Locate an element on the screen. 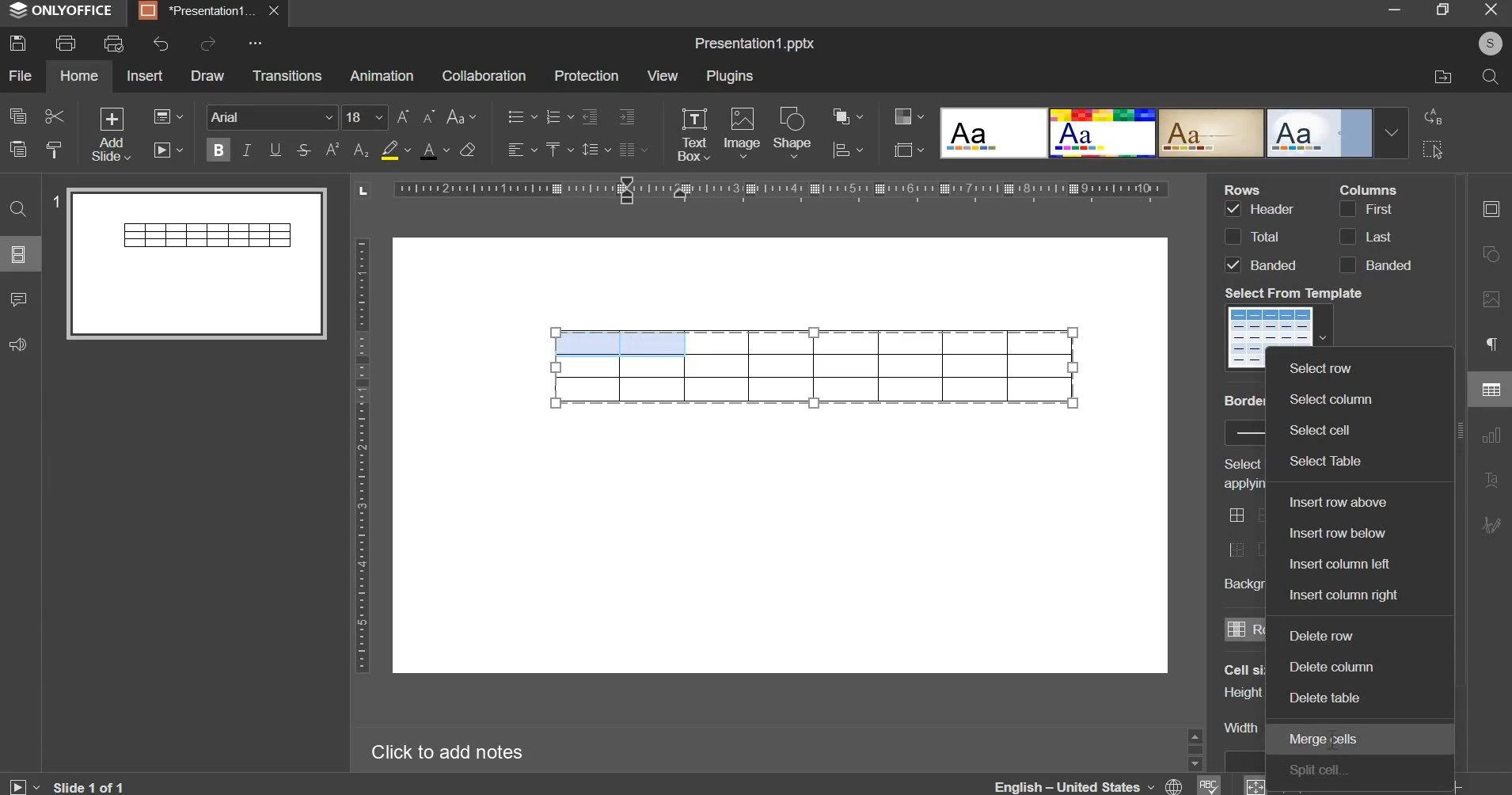  italics is located at coordinates (246, 149).